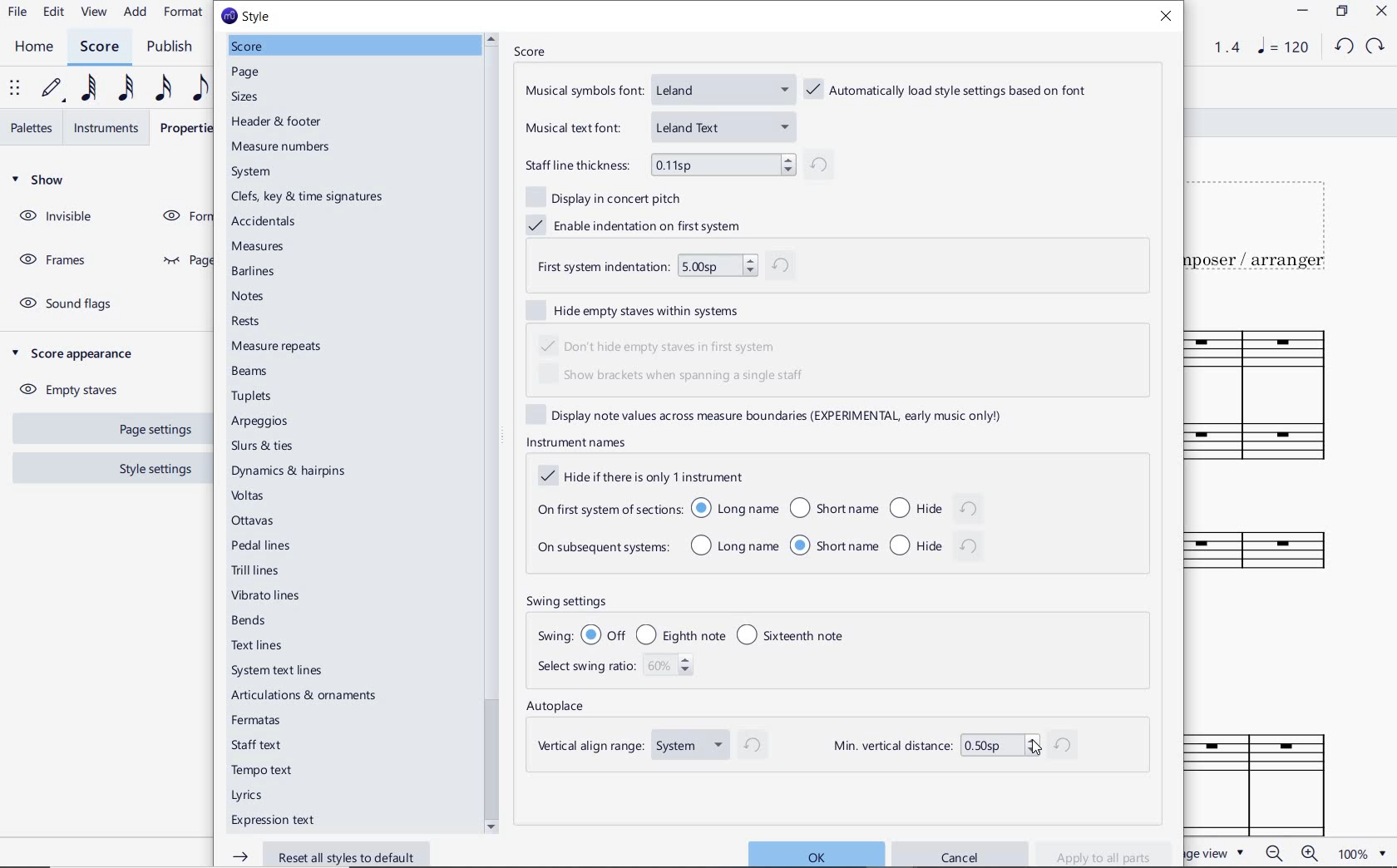 Image resolution: width=1397 pixels, height=868 pixels. What do you see at coordinates (1340, 12) in the screenshot?
I see `RESTORE DOWN` at bounding box center [1340, 12].